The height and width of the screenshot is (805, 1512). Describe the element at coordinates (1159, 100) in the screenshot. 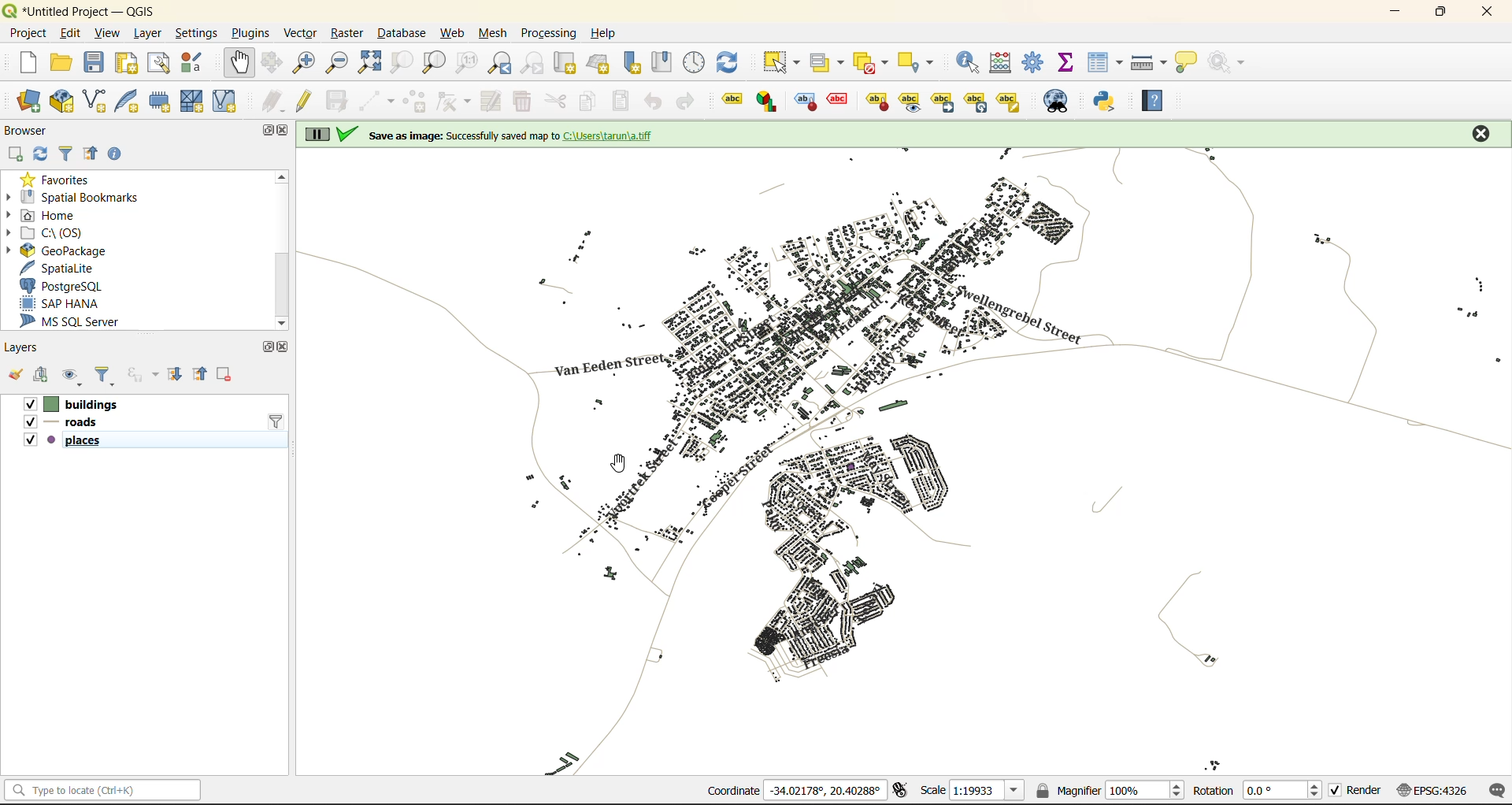

I see `help` at that location.